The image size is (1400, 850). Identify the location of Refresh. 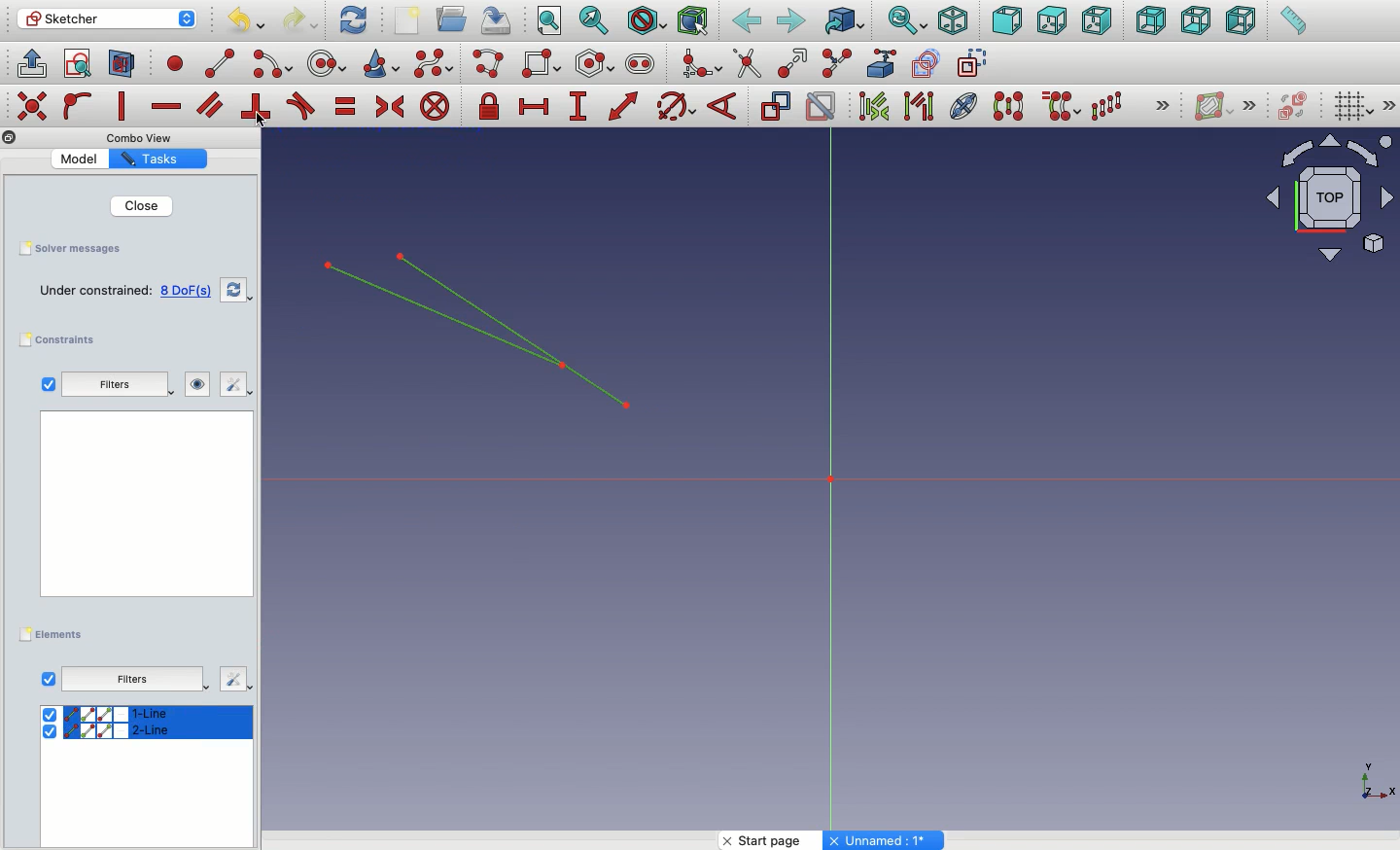
(353, 20).